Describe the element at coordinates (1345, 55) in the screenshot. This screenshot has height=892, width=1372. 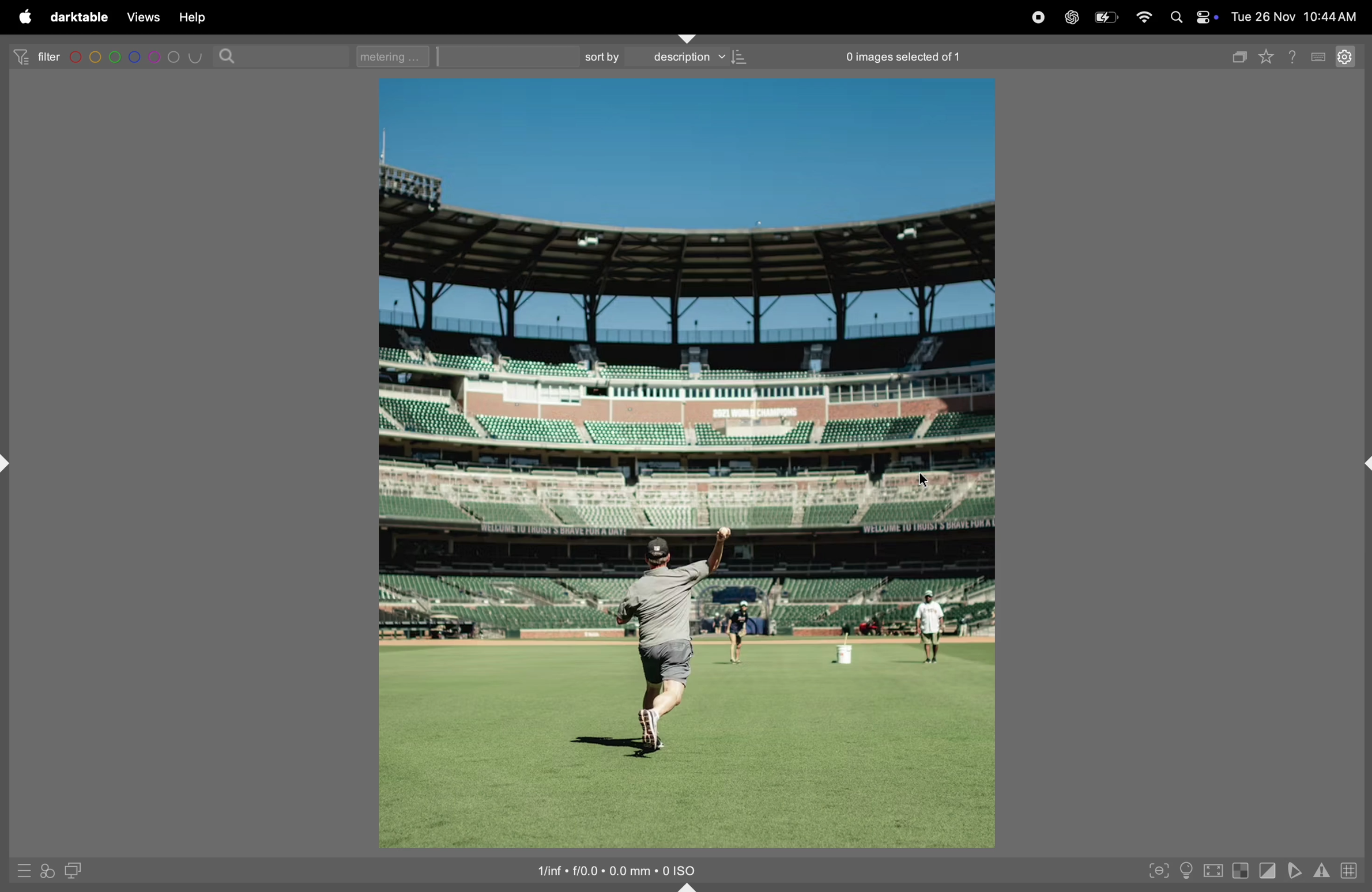
I see `settings` at that location.